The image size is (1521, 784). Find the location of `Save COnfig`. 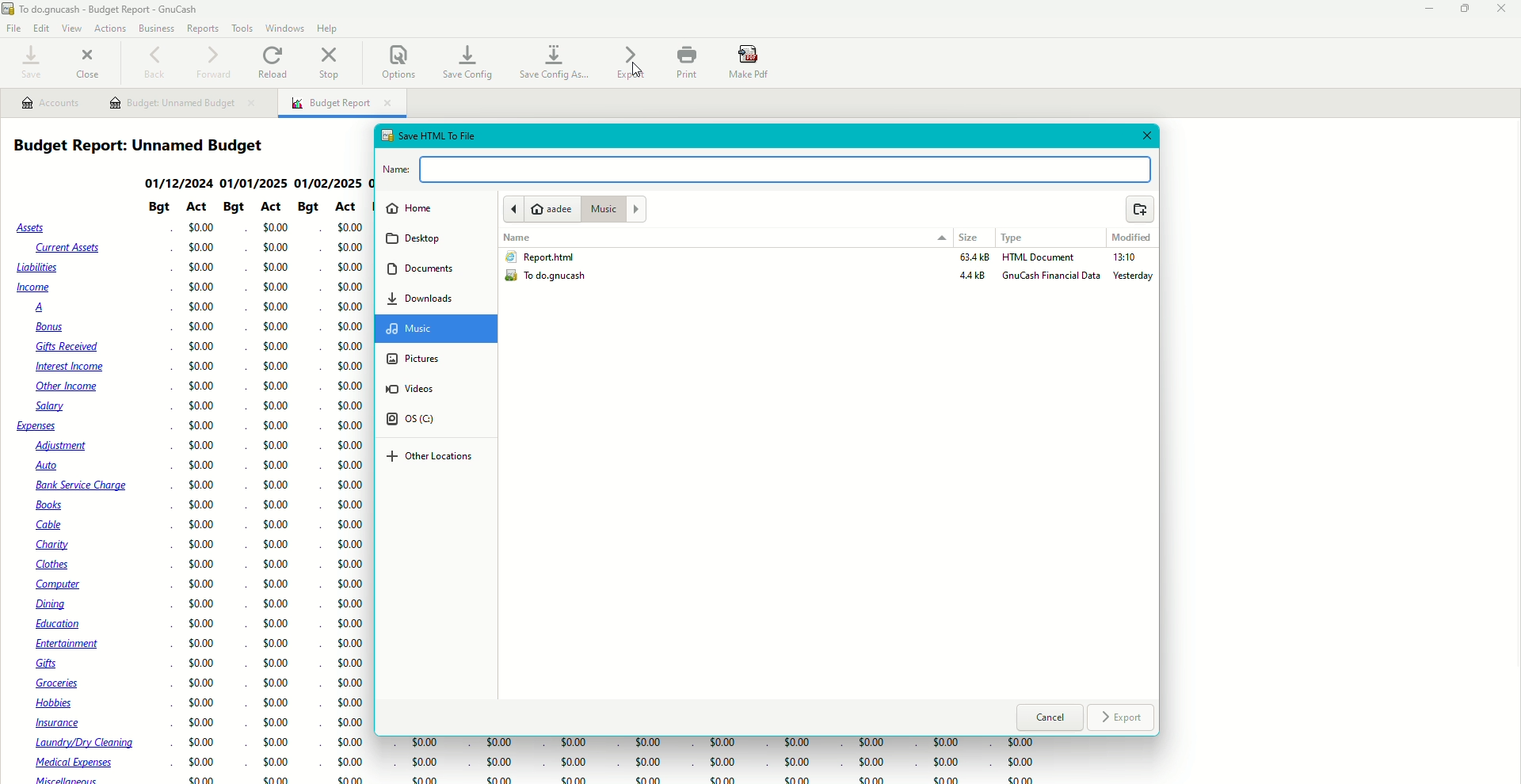

Save COnfig is located at coordinates (467, 61).